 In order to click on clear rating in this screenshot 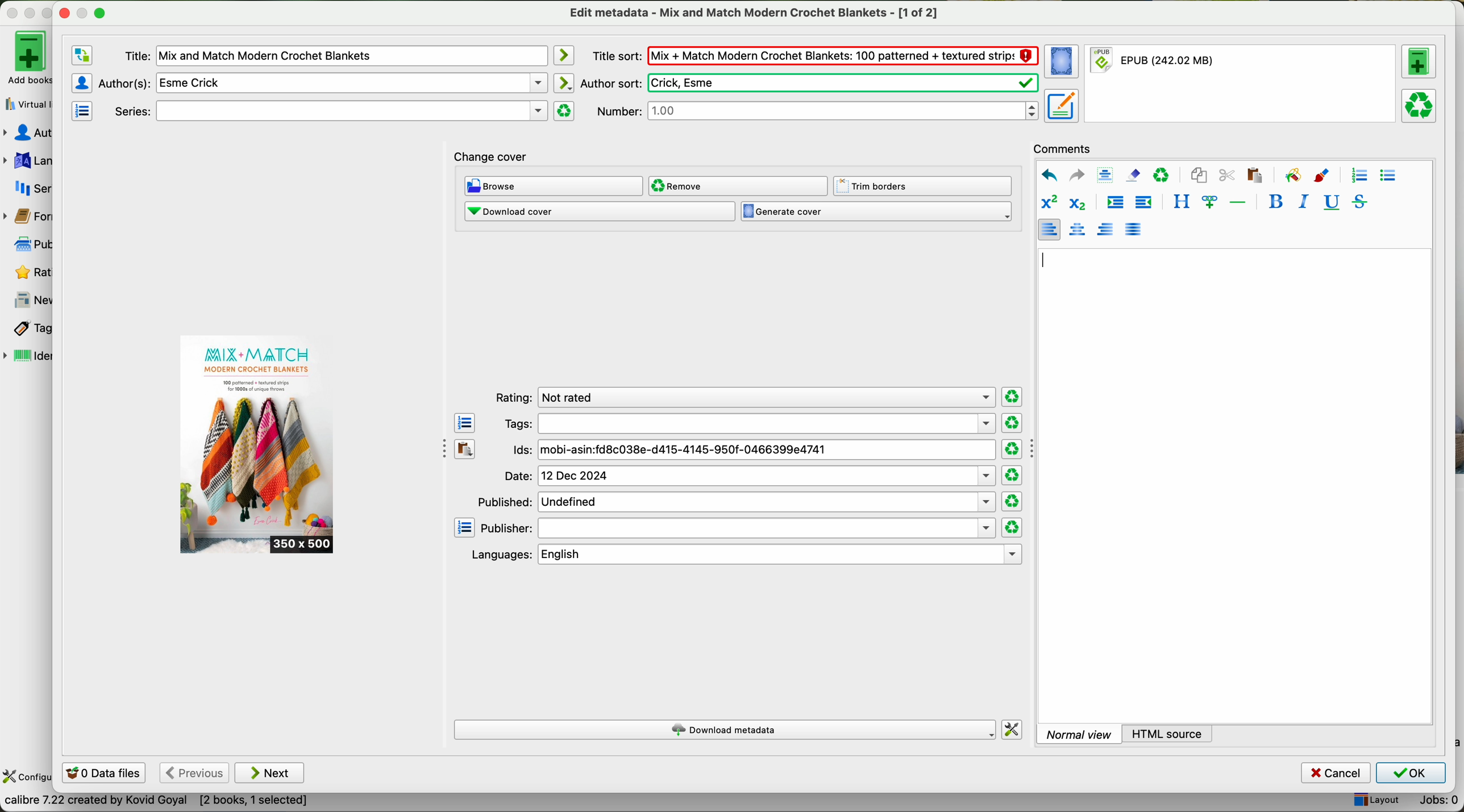, I will do `click(1013, 502)`.